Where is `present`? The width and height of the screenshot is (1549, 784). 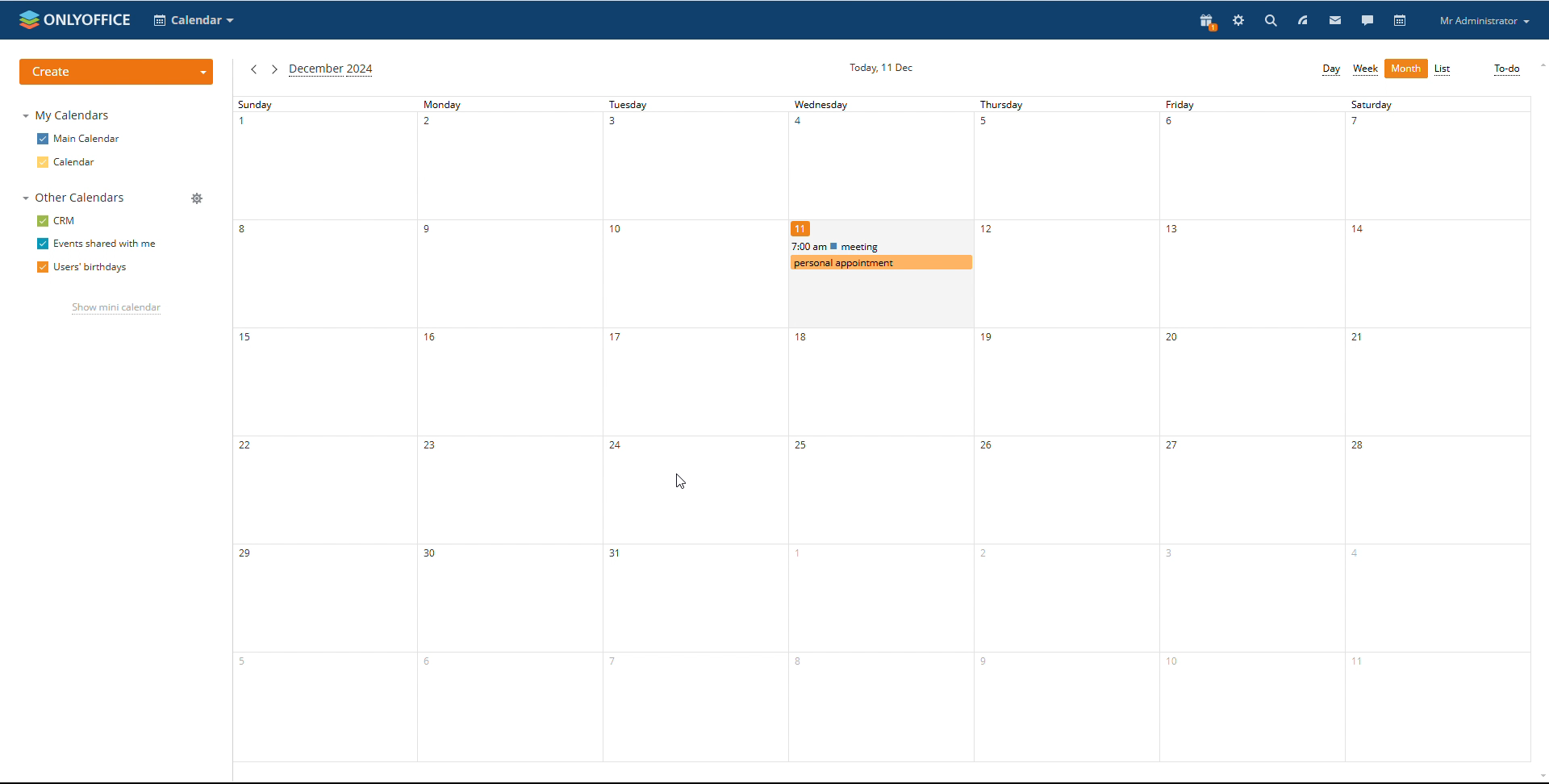
present is located at coordinates (1209, 23).